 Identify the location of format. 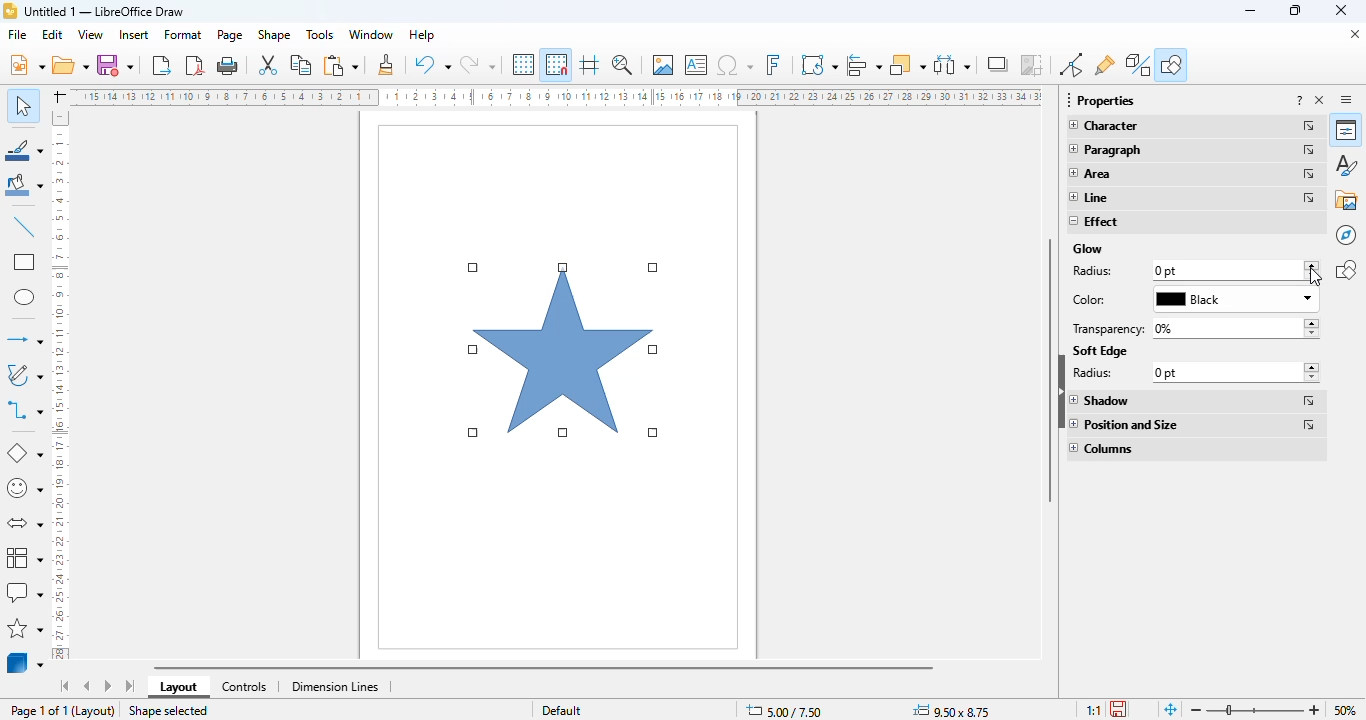
(183, 35).